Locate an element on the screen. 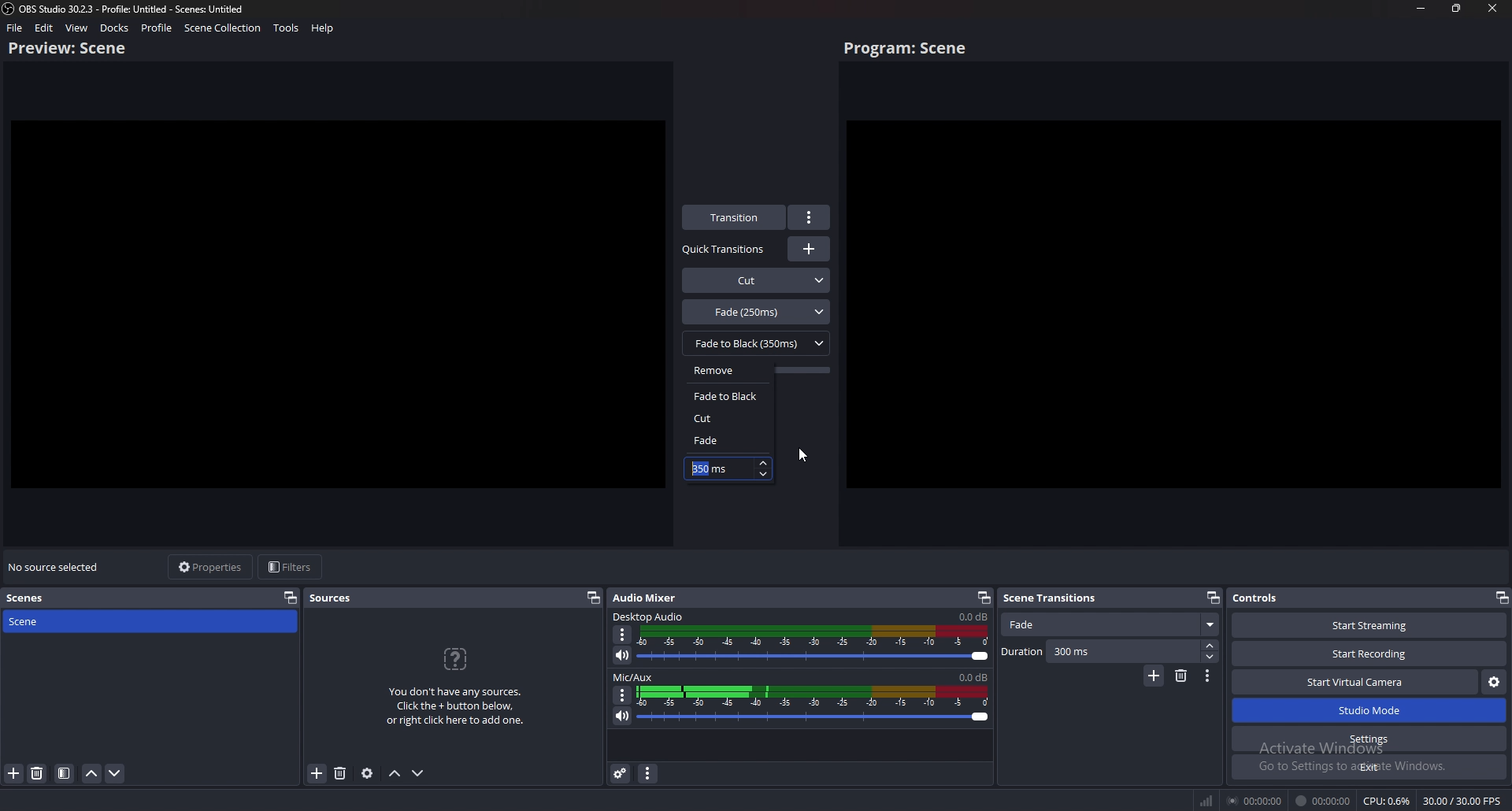  scenes is located at coordinates (29, 598).